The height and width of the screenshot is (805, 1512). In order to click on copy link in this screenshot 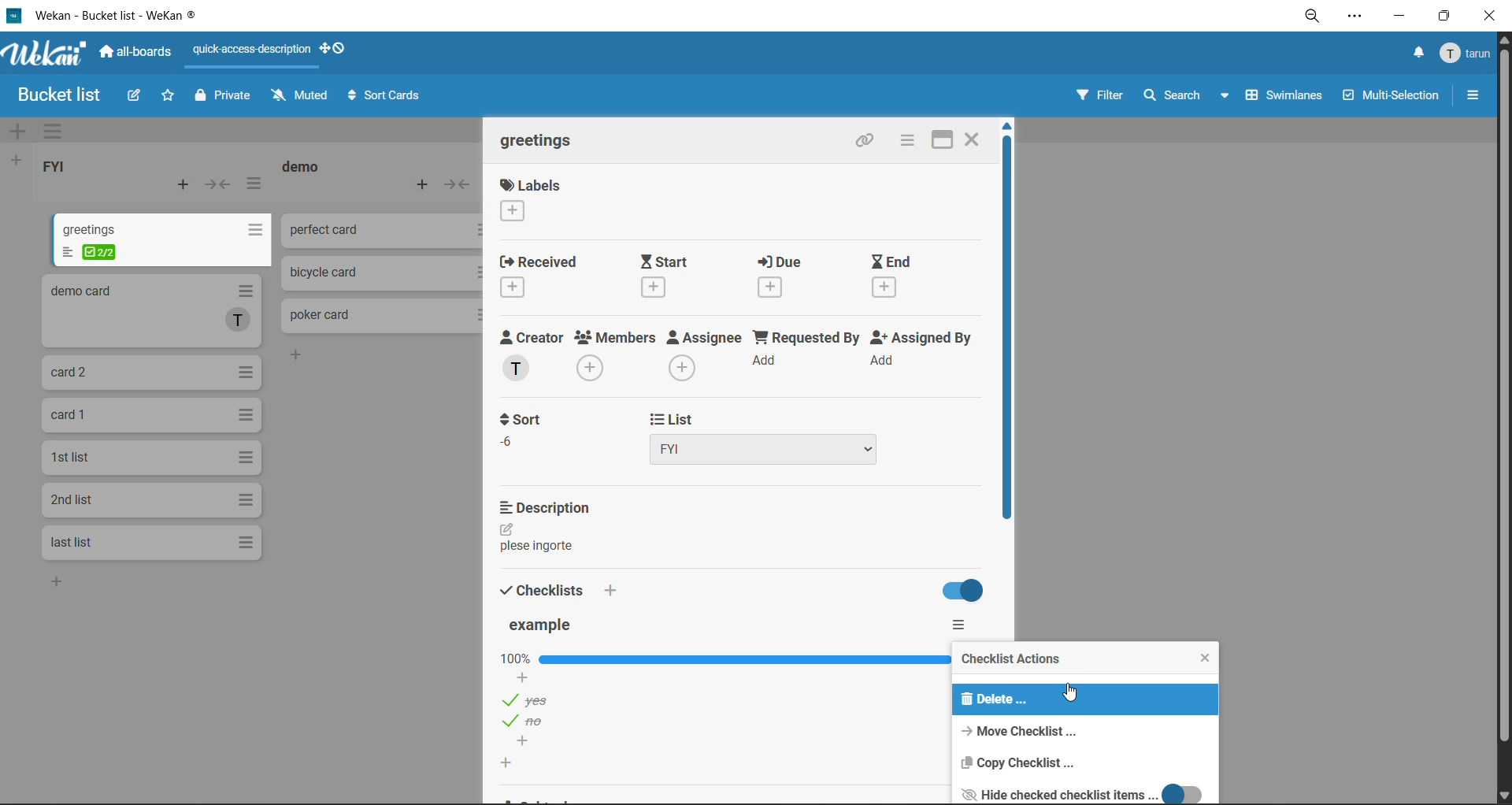, I will do `click(867, 142)`.